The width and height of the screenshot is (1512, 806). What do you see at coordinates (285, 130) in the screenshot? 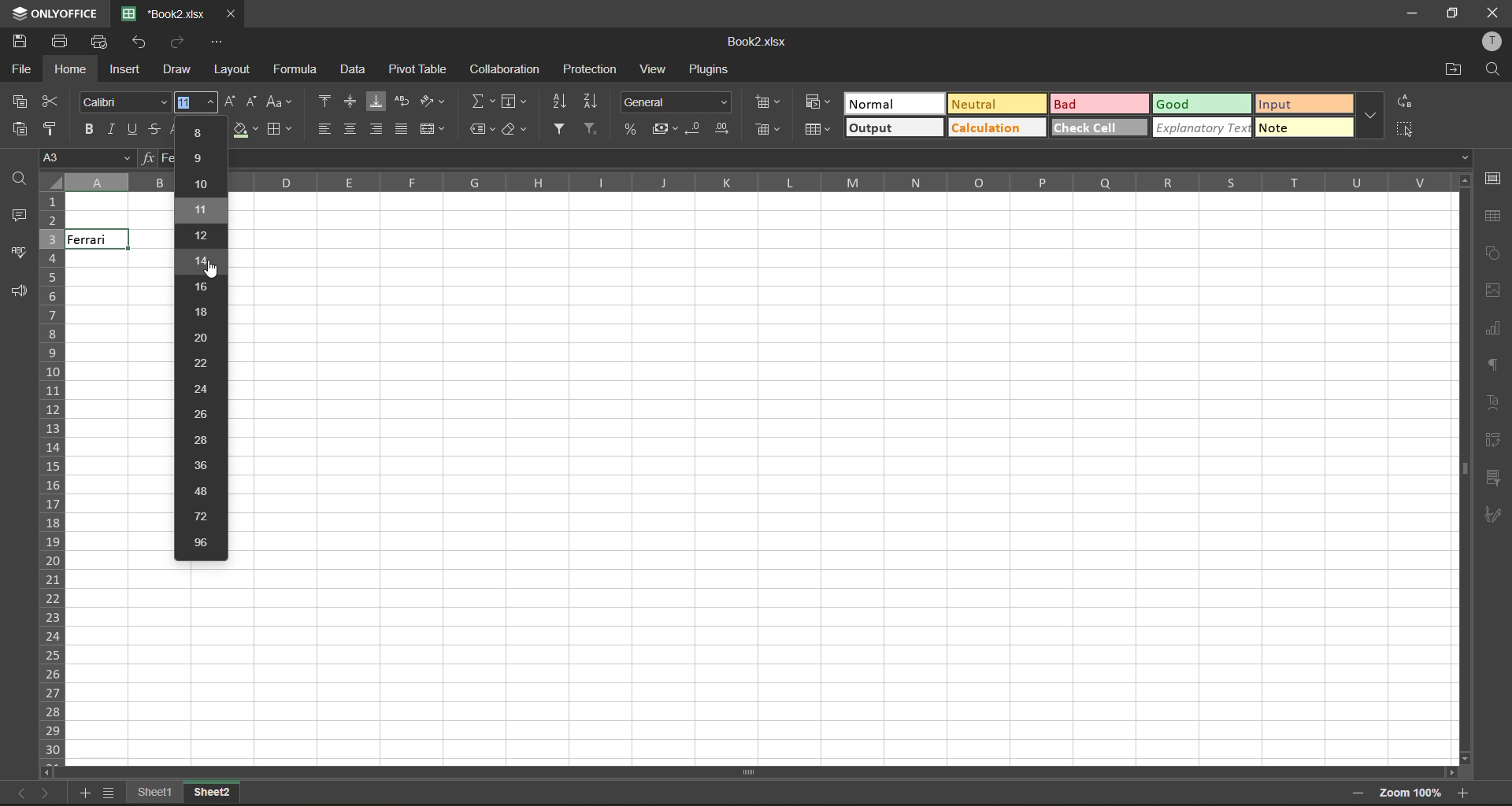
I see `borders` at bounding box center [285, 130].